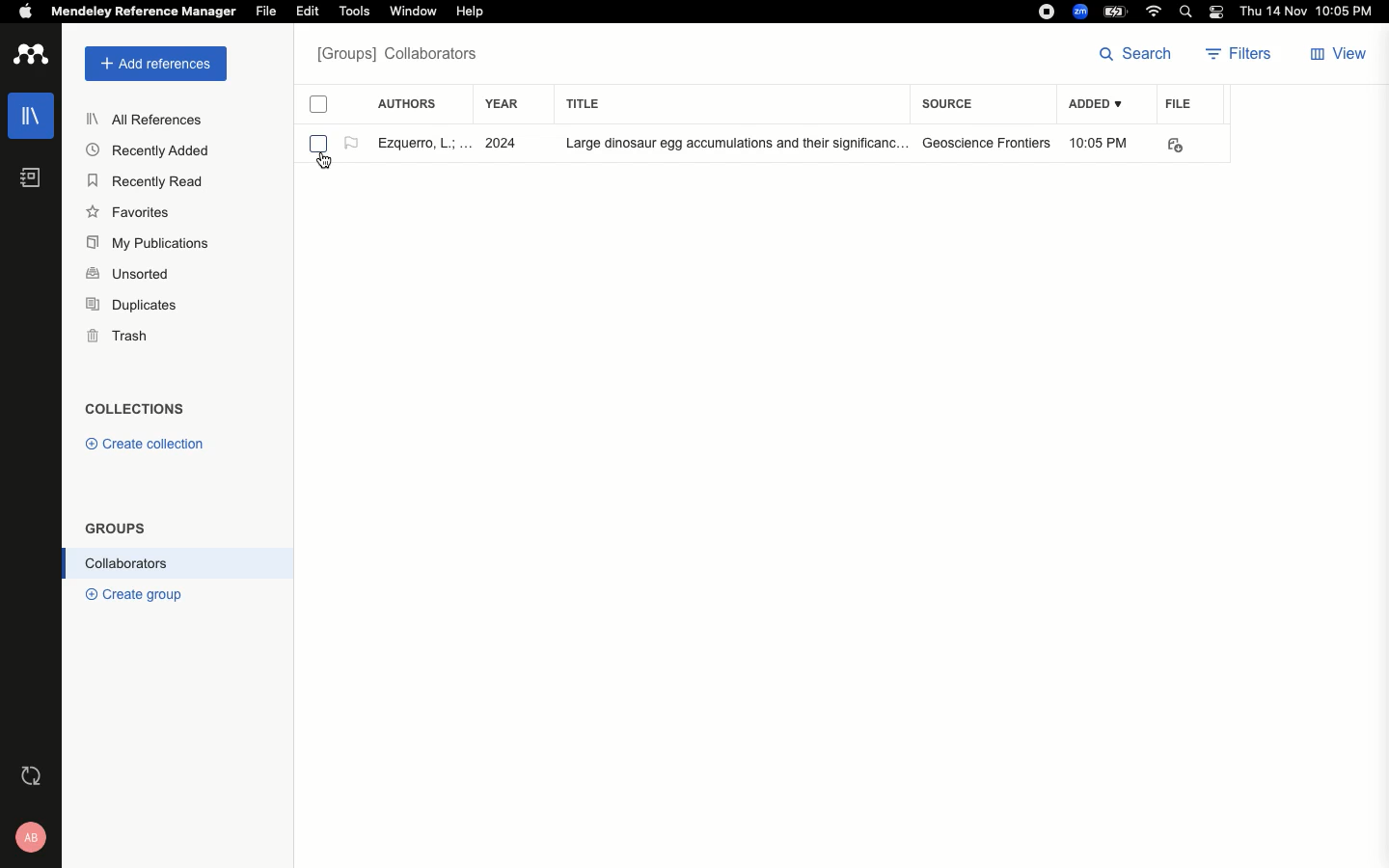 The image size is (1389, 868). I want to click on Recording, so click(1047, 12).